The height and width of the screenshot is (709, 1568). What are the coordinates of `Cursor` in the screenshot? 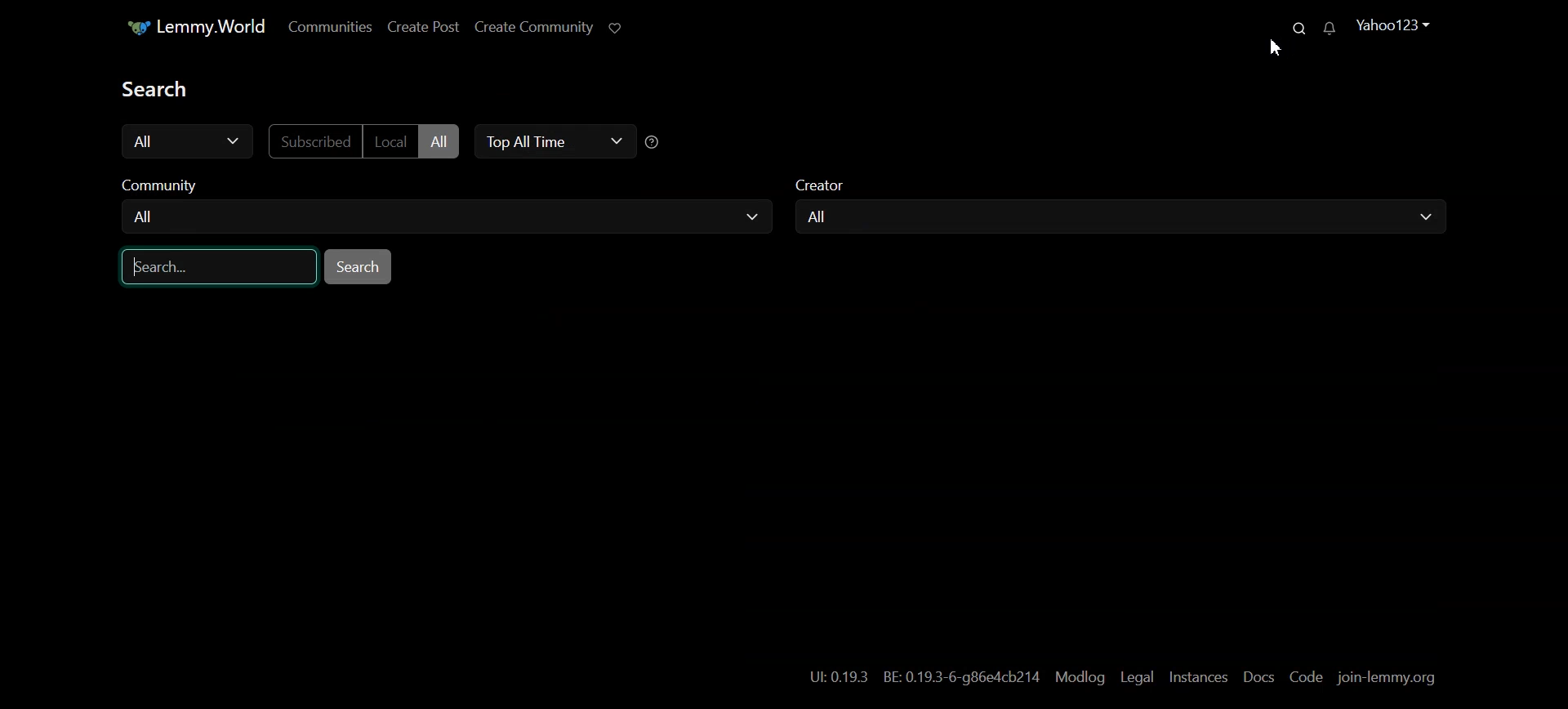 It's located at (1277, 50).